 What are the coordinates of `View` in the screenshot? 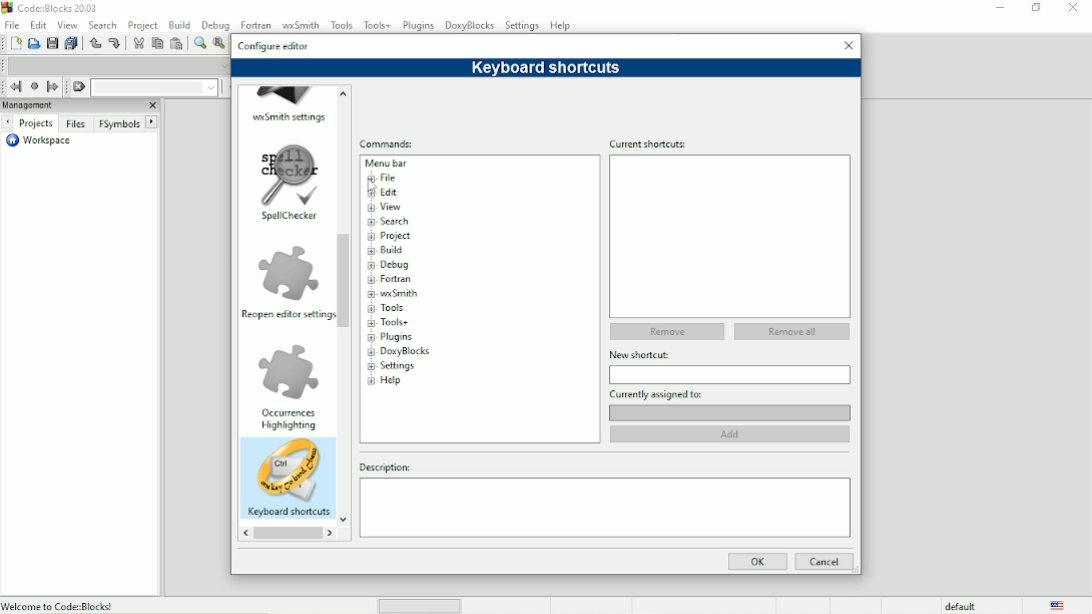 It's located at (69, 24).